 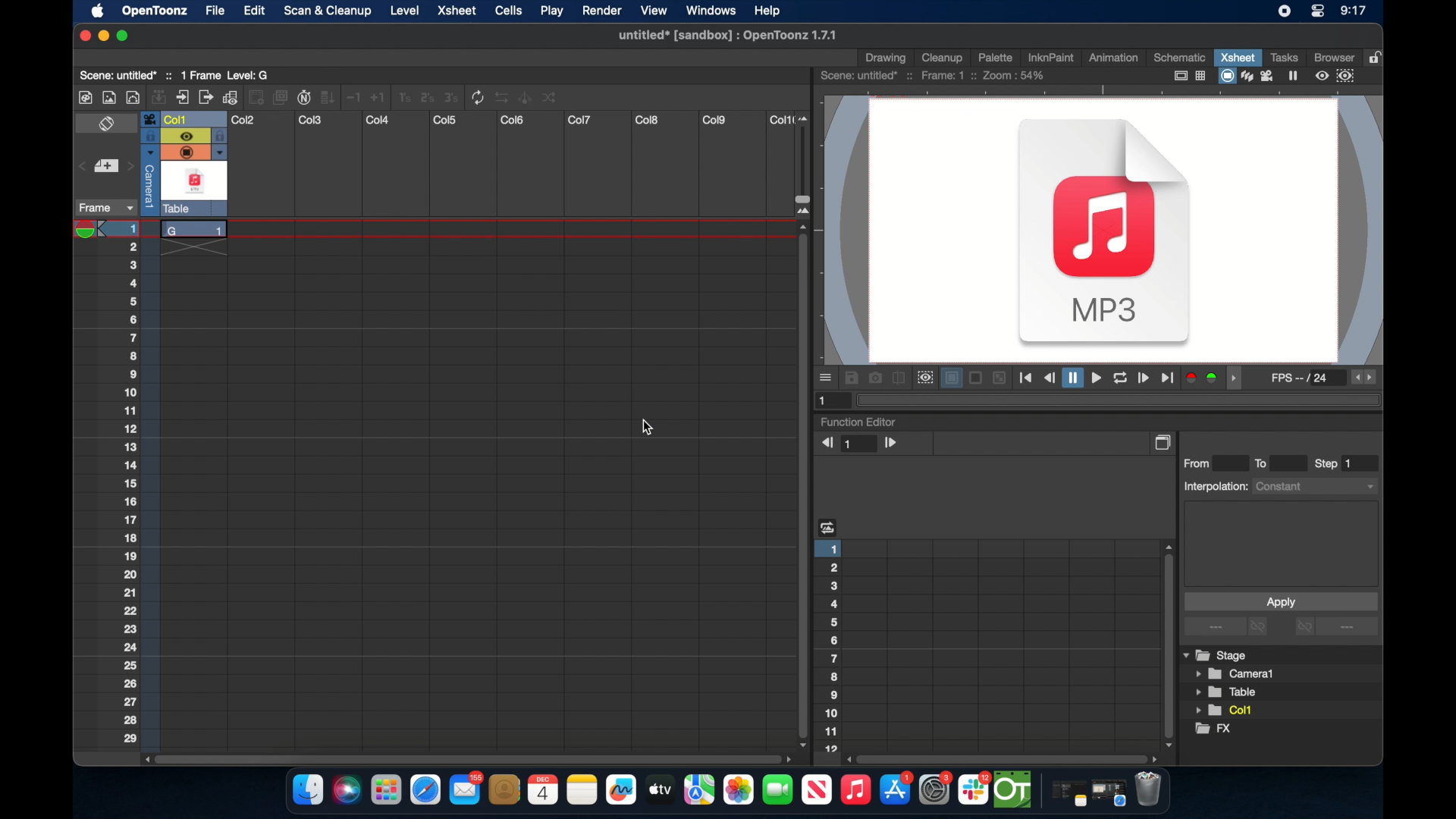 I want to click on contacts, so click(x=505, y=789).